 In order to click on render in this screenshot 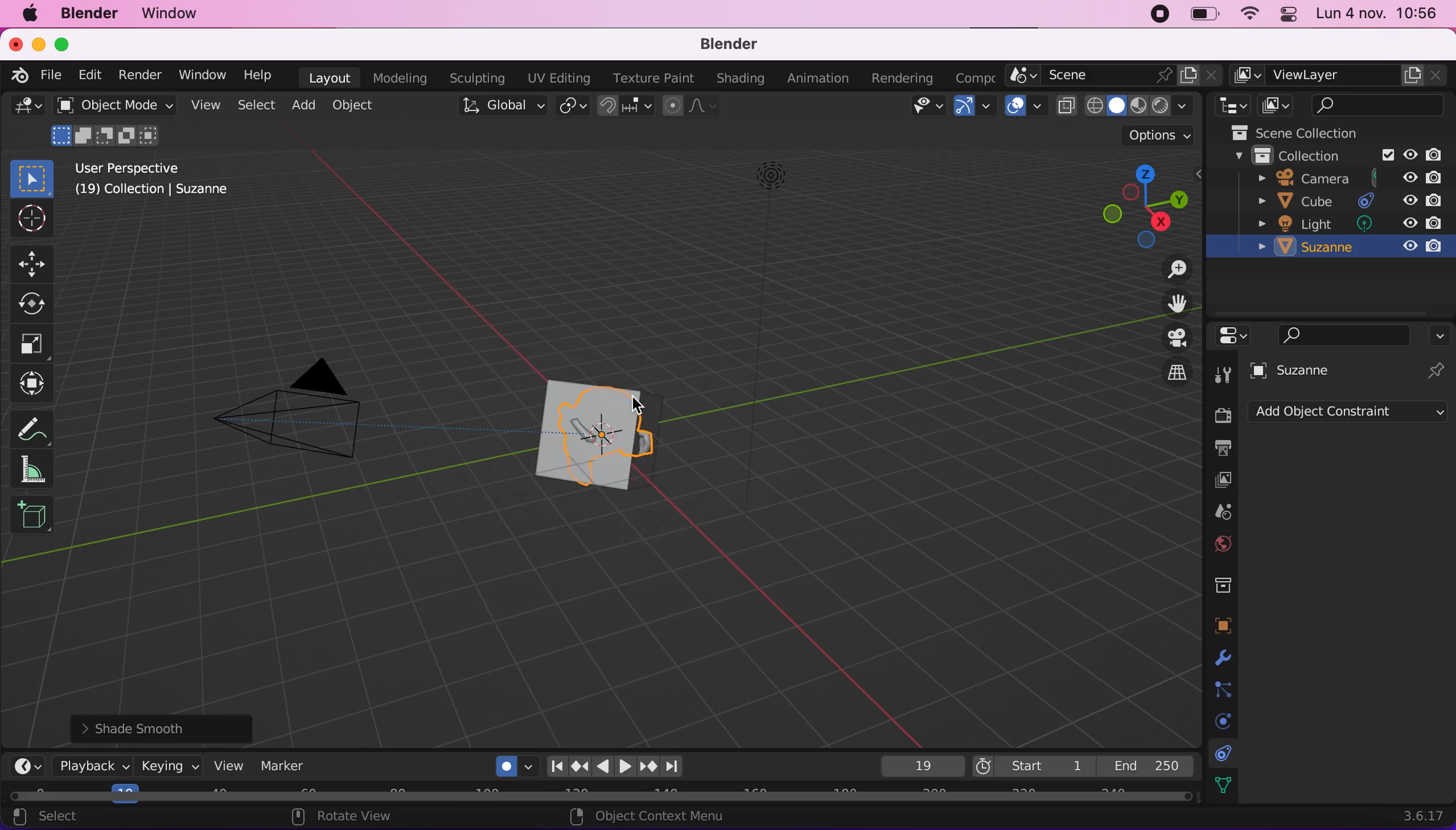, I will do `click(1220, 416)`.